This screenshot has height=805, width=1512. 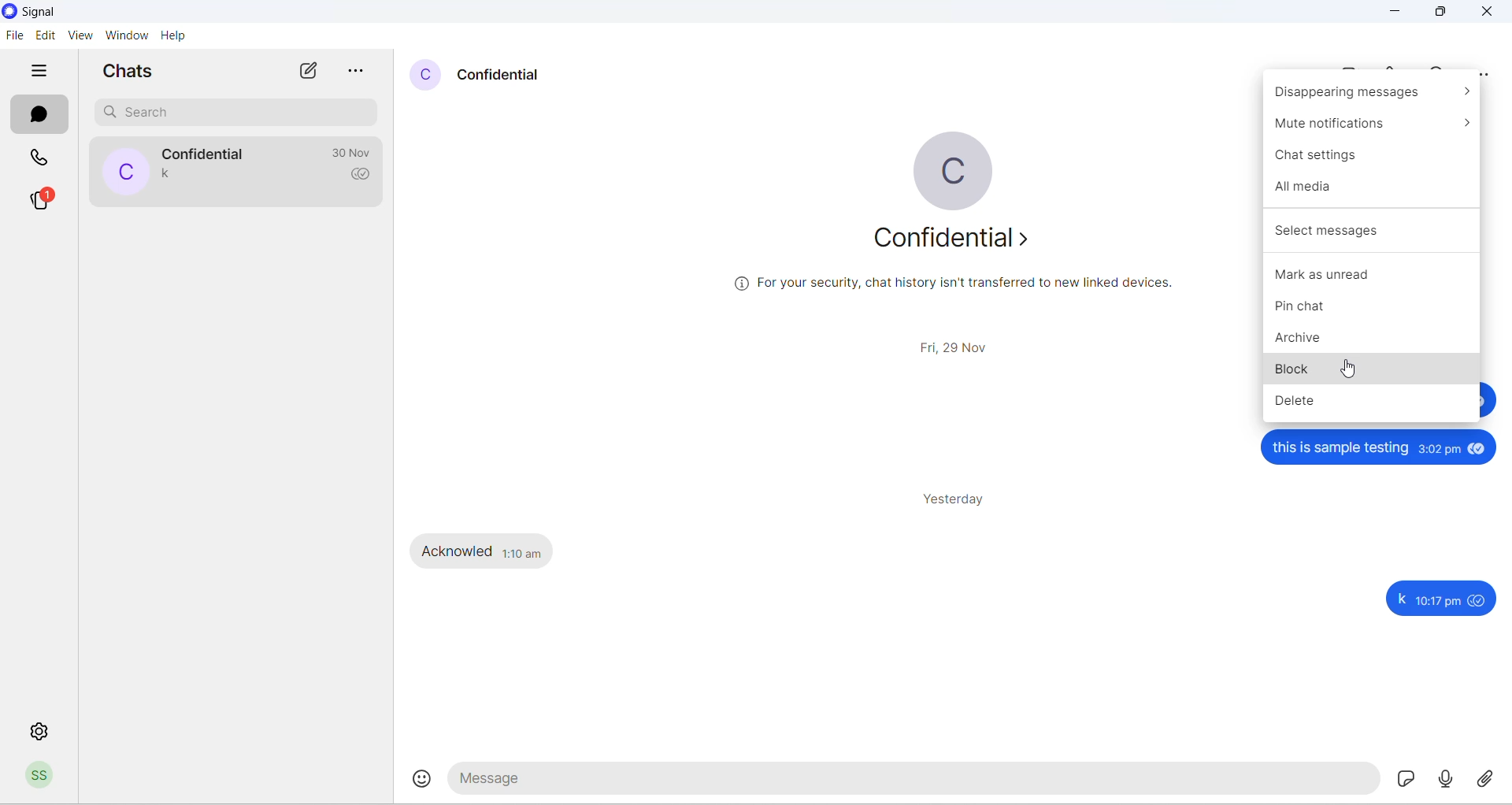 I want to click on stories, so click(x=41, y=200).